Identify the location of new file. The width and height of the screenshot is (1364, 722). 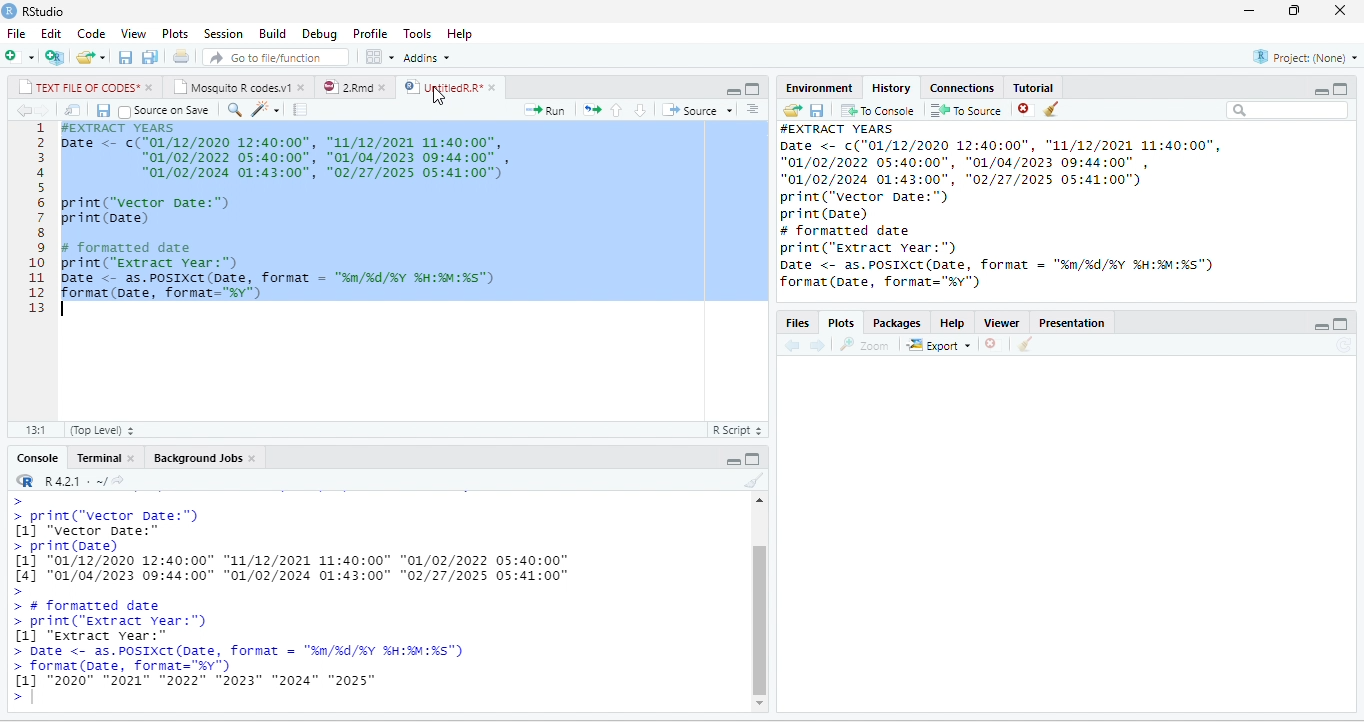
(20, 57).